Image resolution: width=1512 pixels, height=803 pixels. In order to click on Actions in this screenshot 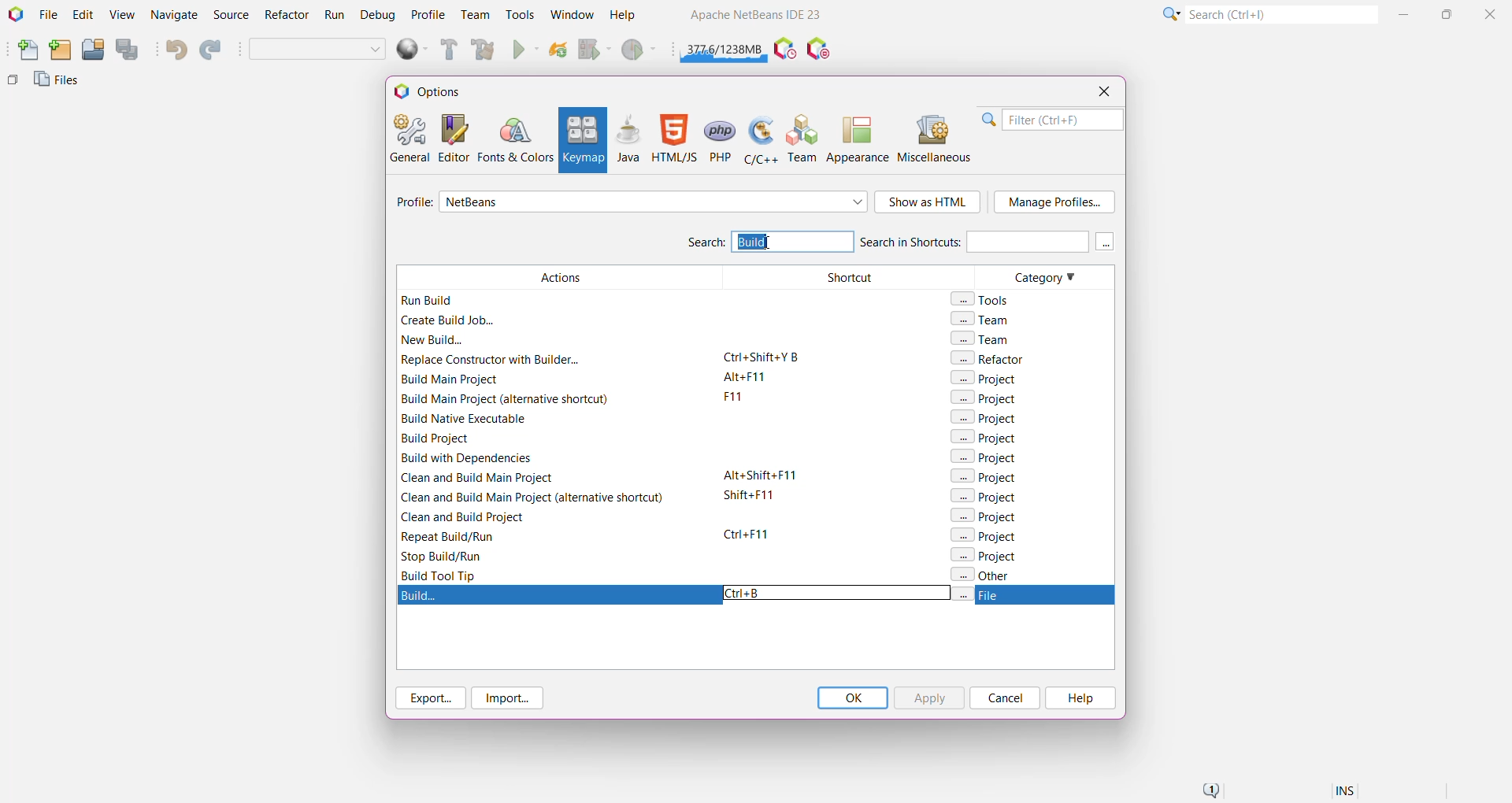, I will do `click(554, 424)`.